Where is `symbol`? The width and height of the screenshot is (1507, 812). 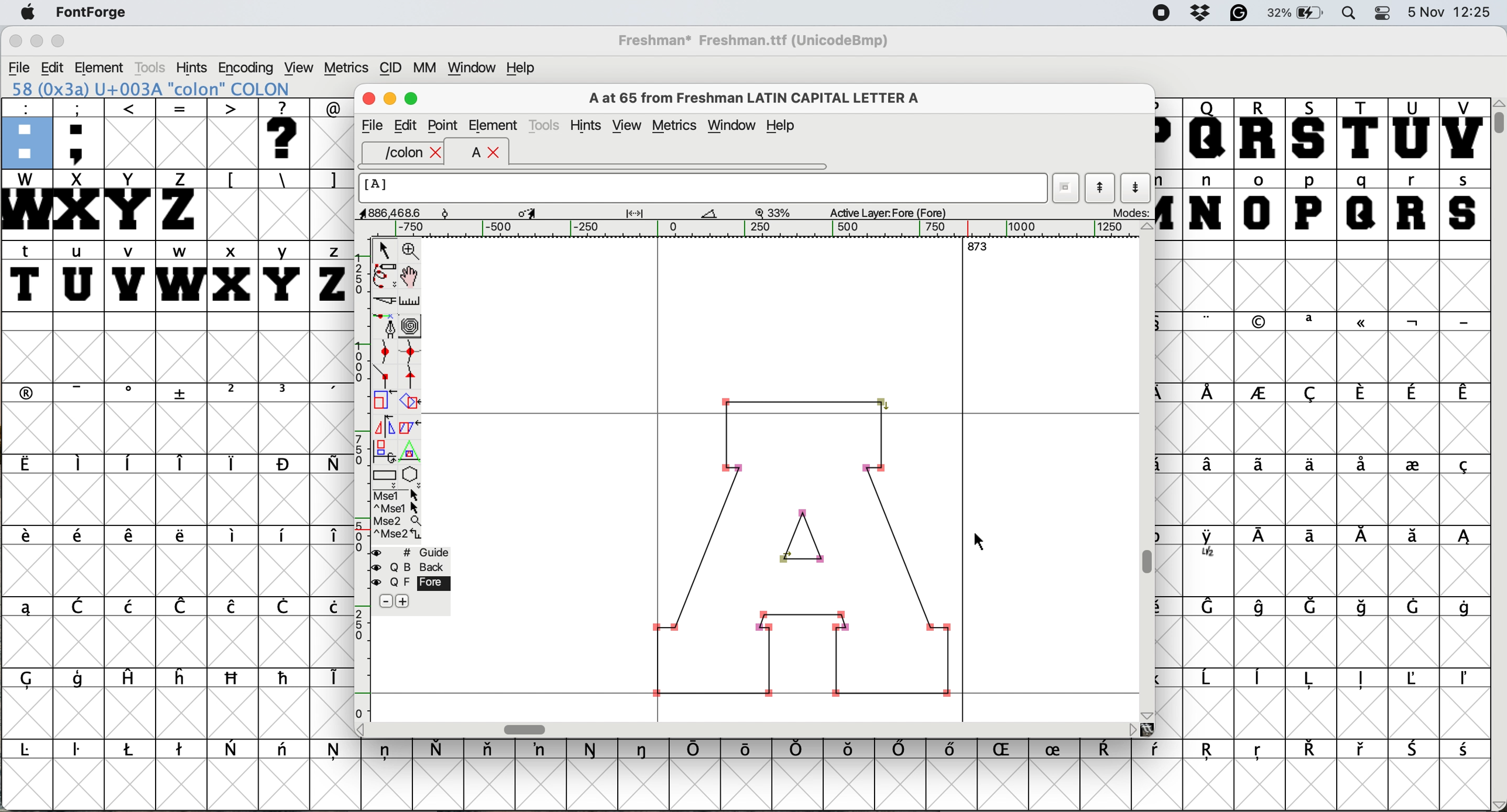 symbol is located at coordinates (1464, 394).